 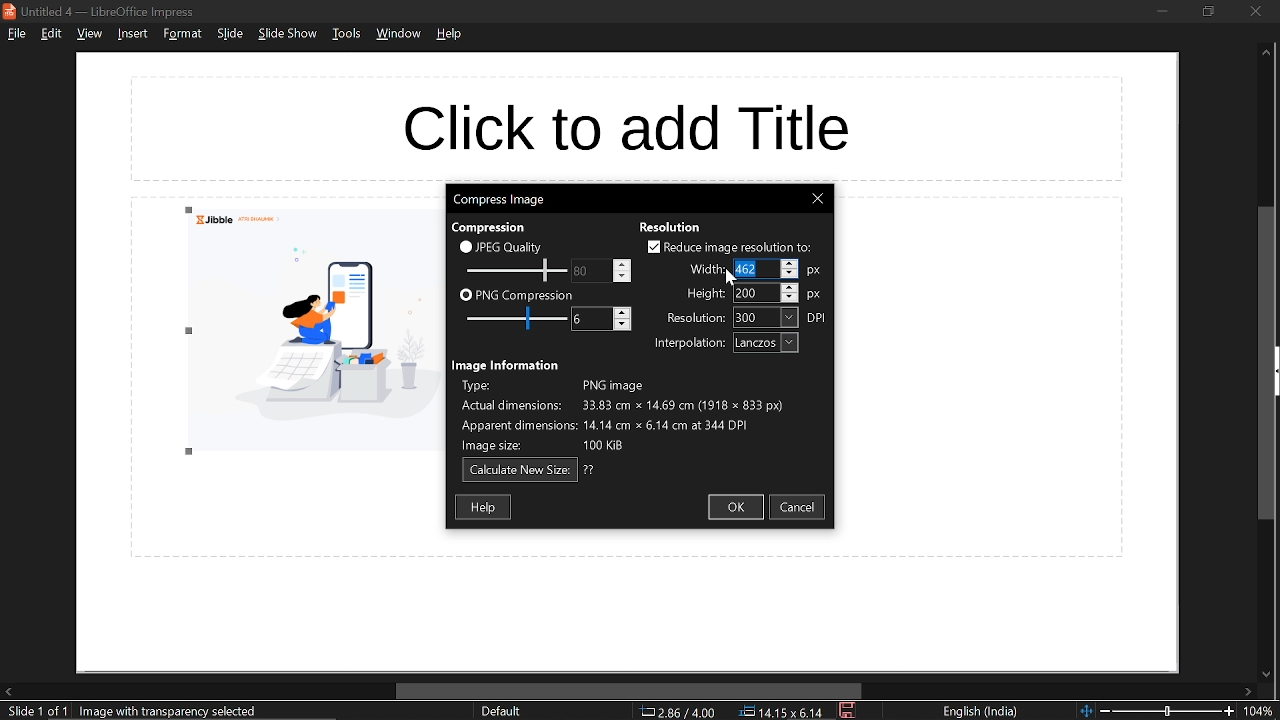 I want to click on PNG compression scale, so click(x=589, y=271).